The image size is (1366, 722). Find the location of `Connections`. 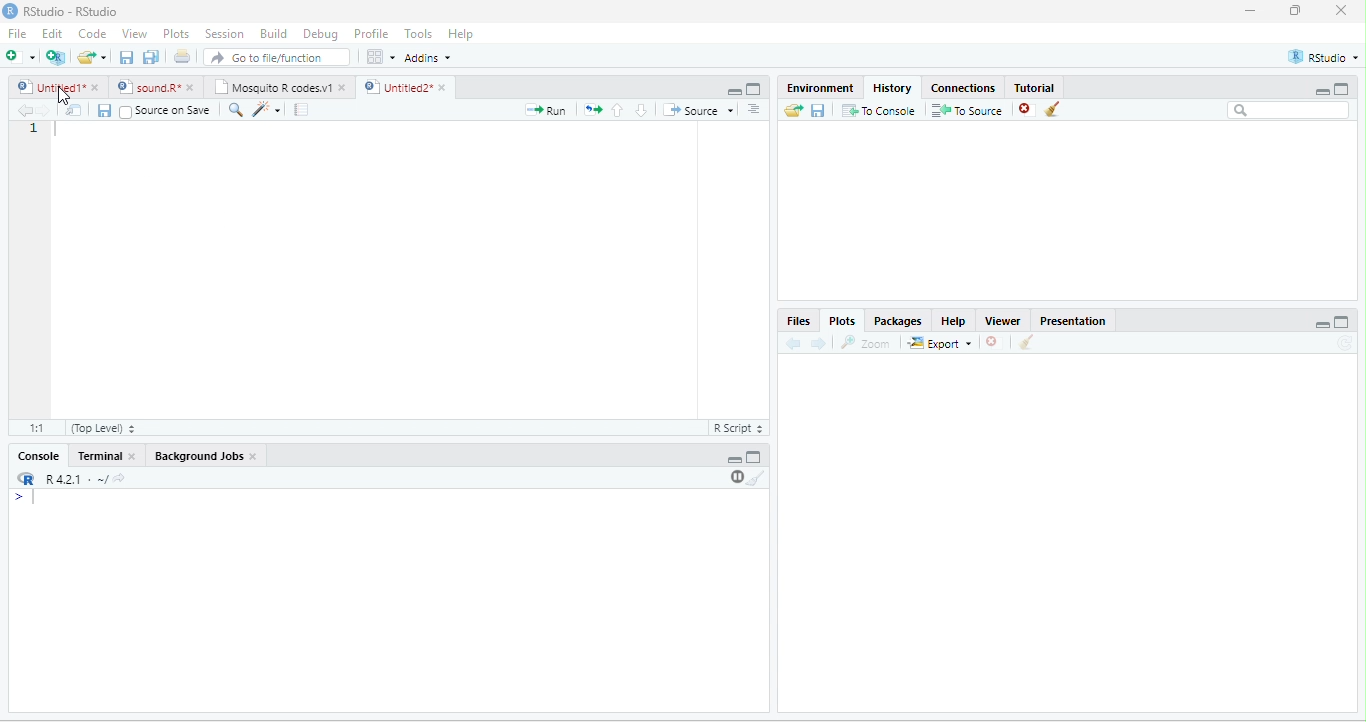

Connections is located at coordinates (962, 88).